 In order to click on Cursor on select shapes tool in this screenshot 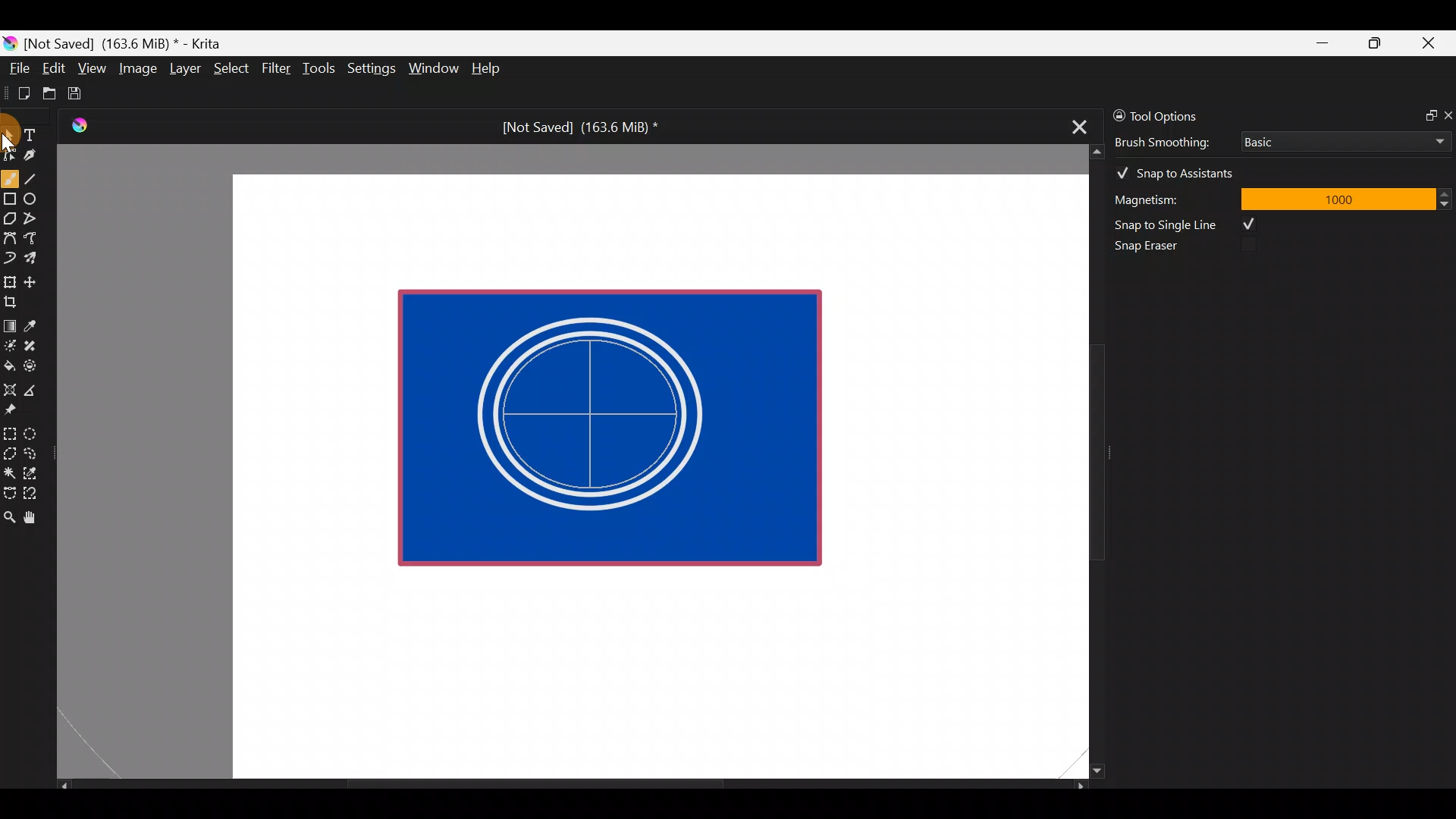, I will do `click(9, 124)`.